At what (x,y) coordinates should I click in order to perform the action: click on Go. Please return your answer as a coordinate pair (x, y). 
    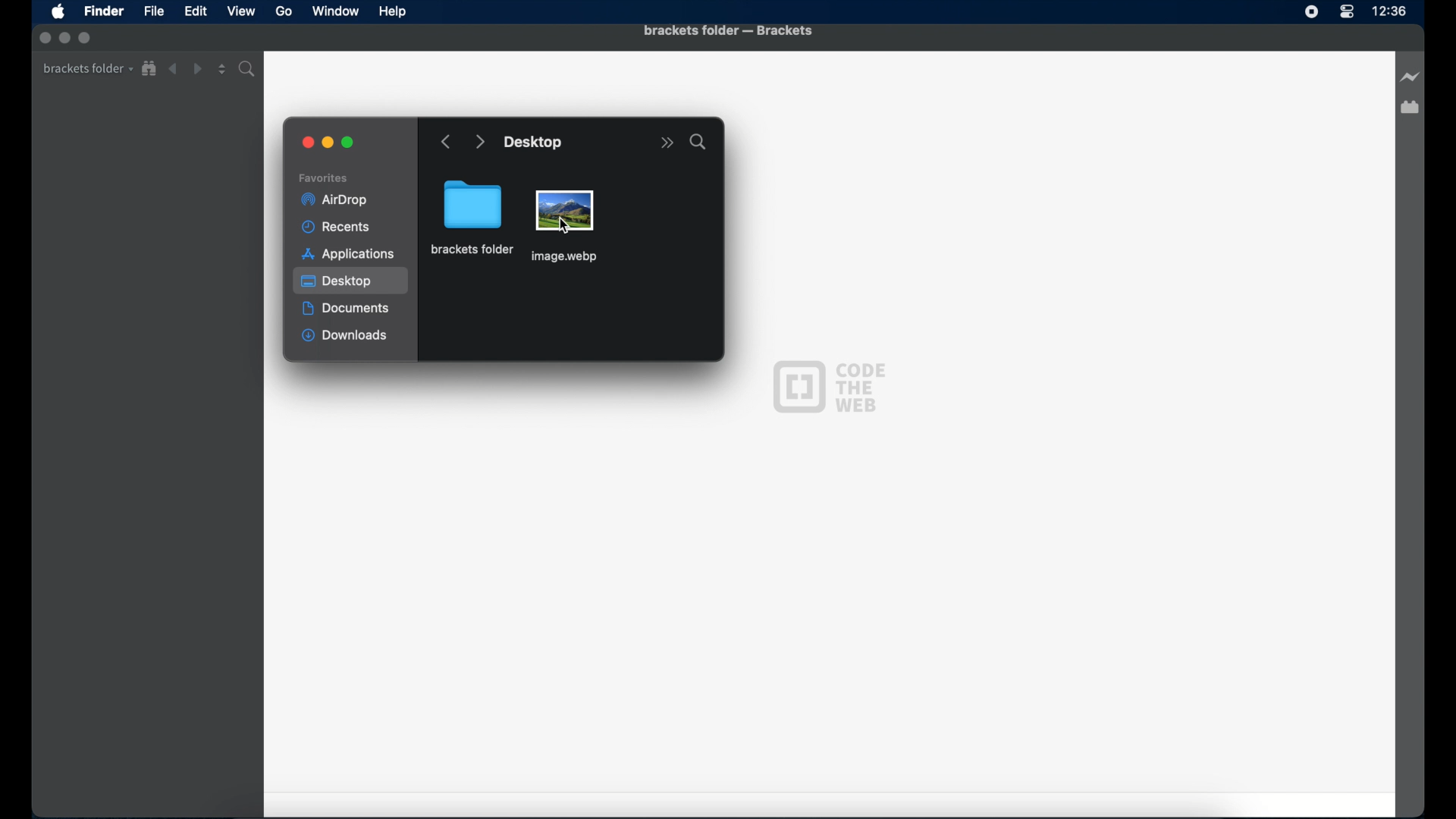
    Looking at the image, I should click on (284, 11).